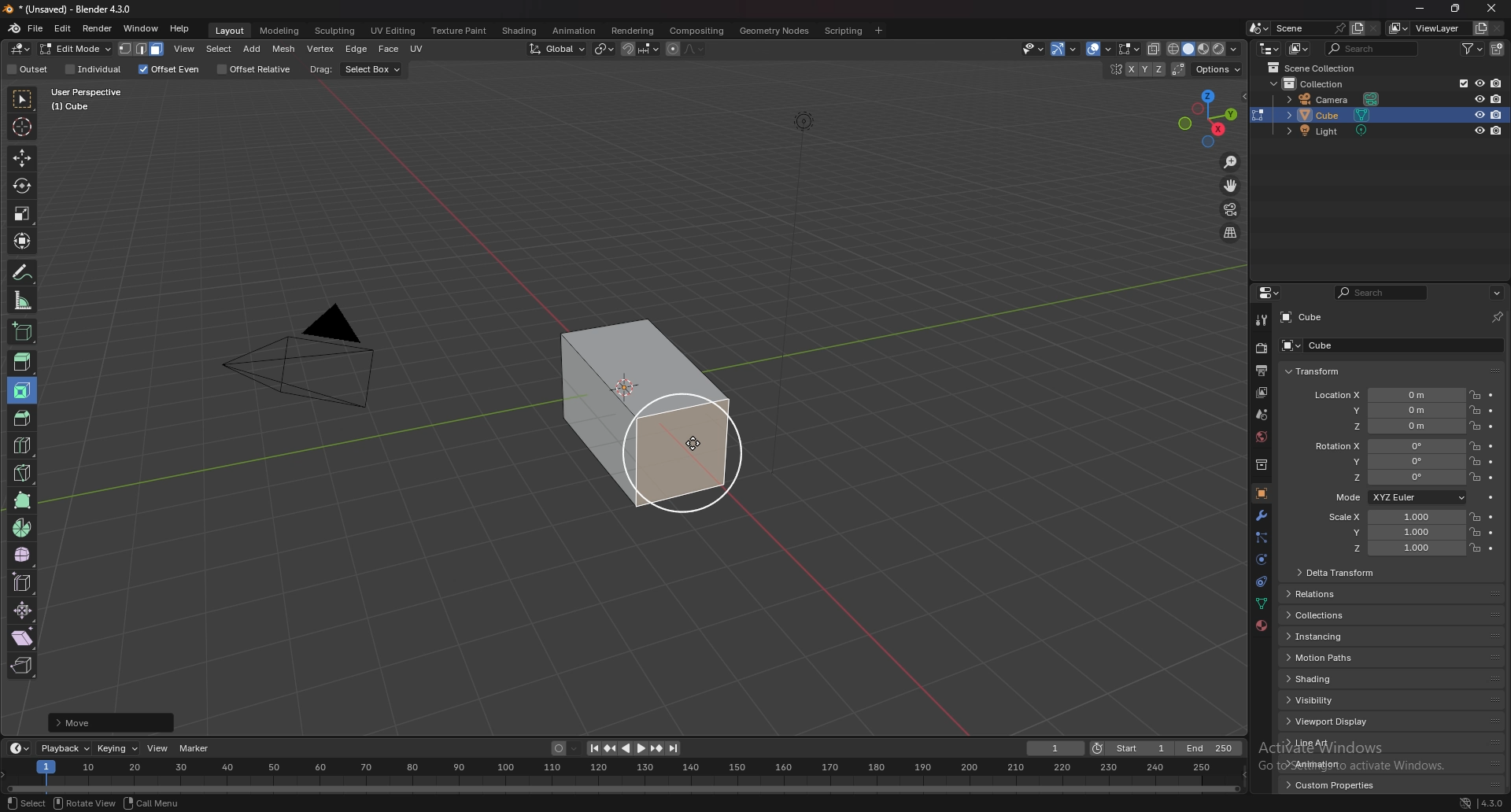 The height and width of the screenshot is (812, 1511). What do you see at coordinates (1389, 426) in the screenshot?
I see `location z` at bounding box center [1389, 426].